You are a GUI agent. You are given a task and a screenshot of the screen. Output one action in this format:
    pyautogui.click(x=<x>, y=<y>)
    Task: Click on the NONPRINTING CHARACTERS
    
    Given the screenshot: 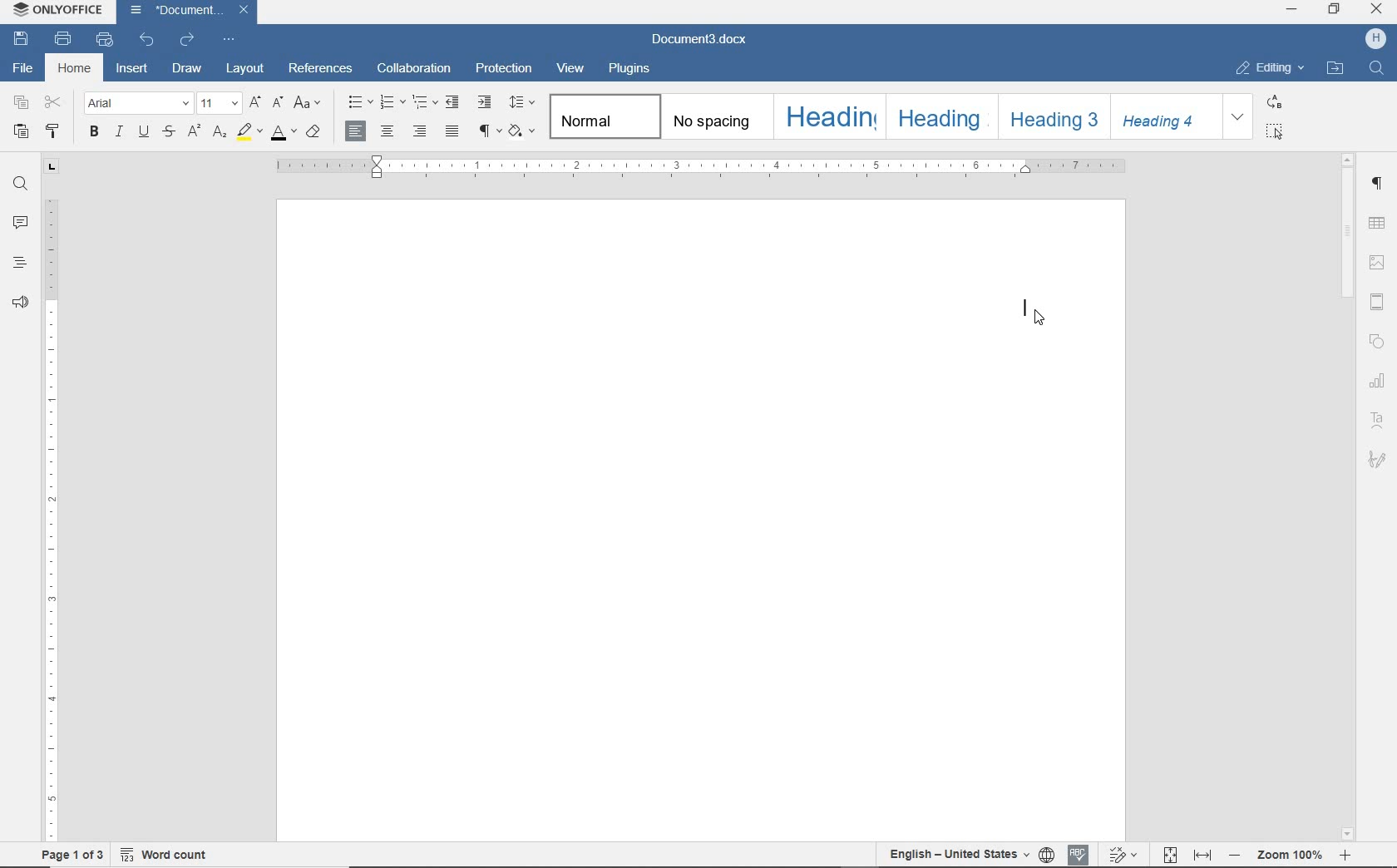 What is the action you would take?
    pyautogui.click(x=486, y=130)
    